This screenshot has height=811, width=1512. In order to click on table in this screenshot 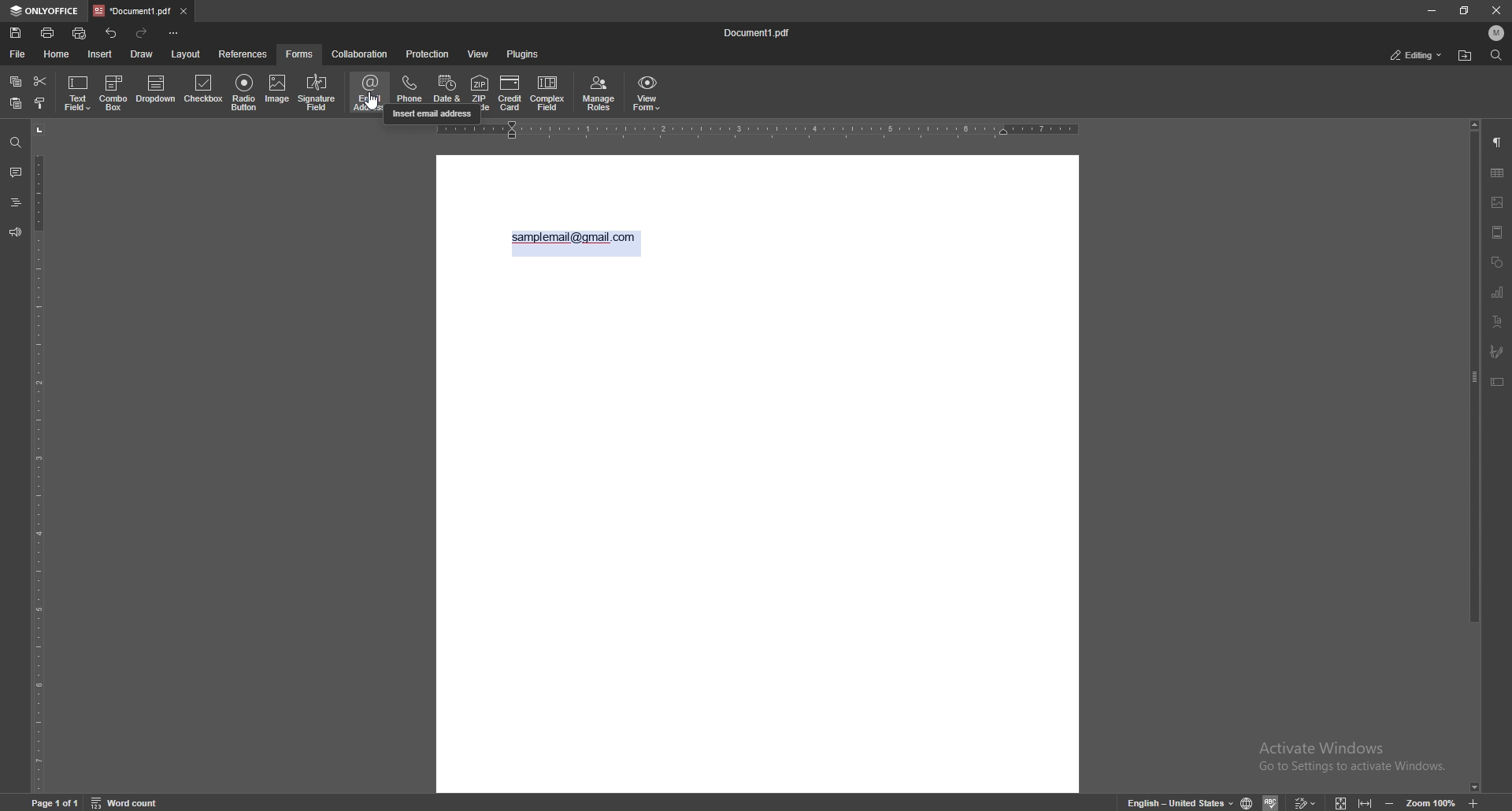, I will do `click(1497, 173)`.